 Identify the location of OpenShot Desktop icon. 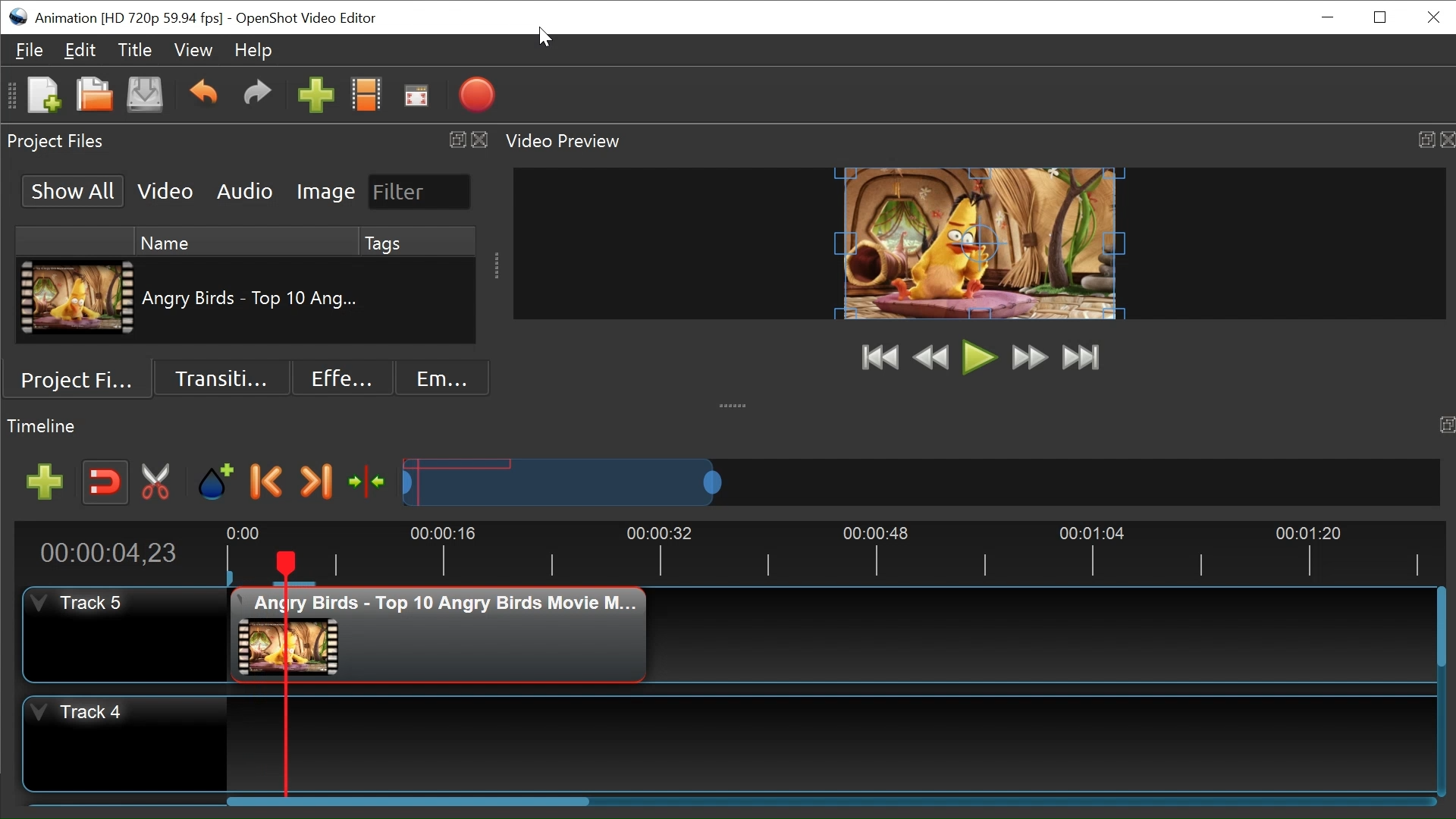
(17, 17).